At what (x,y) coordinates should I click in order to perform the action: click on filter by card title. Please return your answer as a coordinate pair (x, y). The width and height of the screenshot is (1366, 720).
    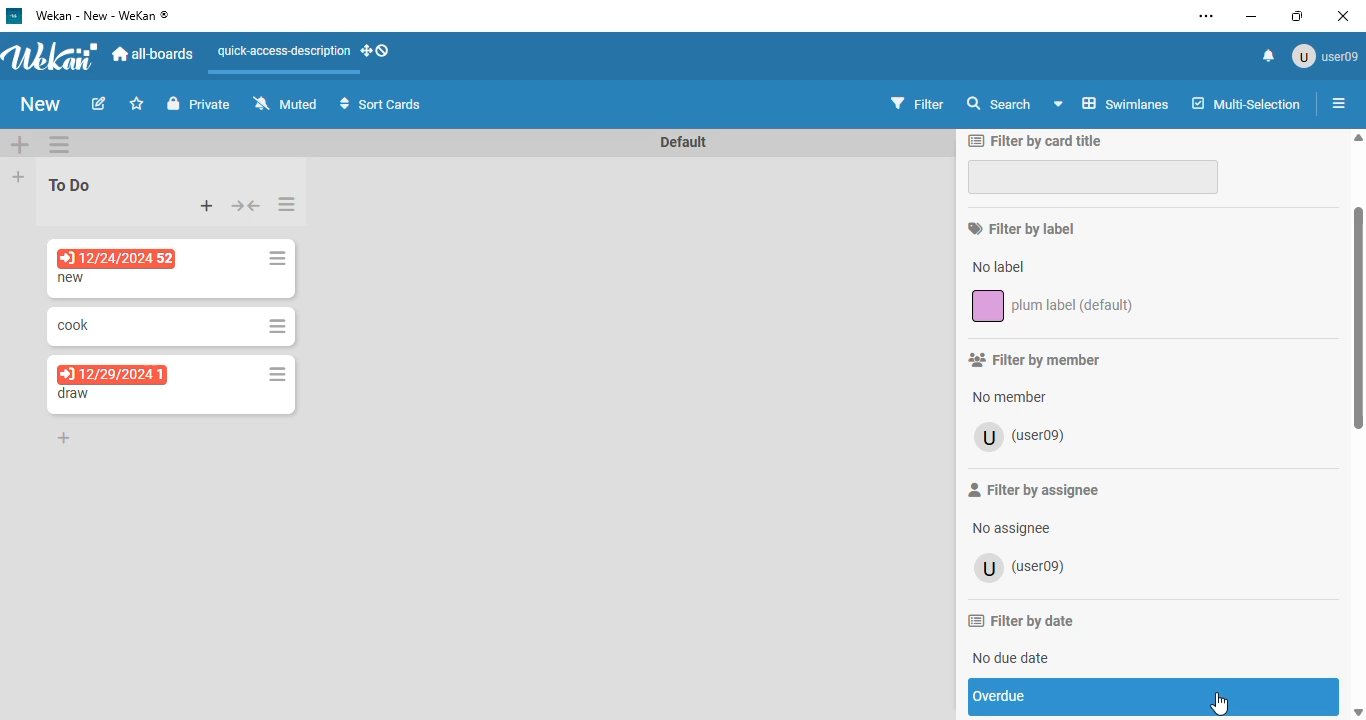
    Looking at the image, I should click on (1036, 139).